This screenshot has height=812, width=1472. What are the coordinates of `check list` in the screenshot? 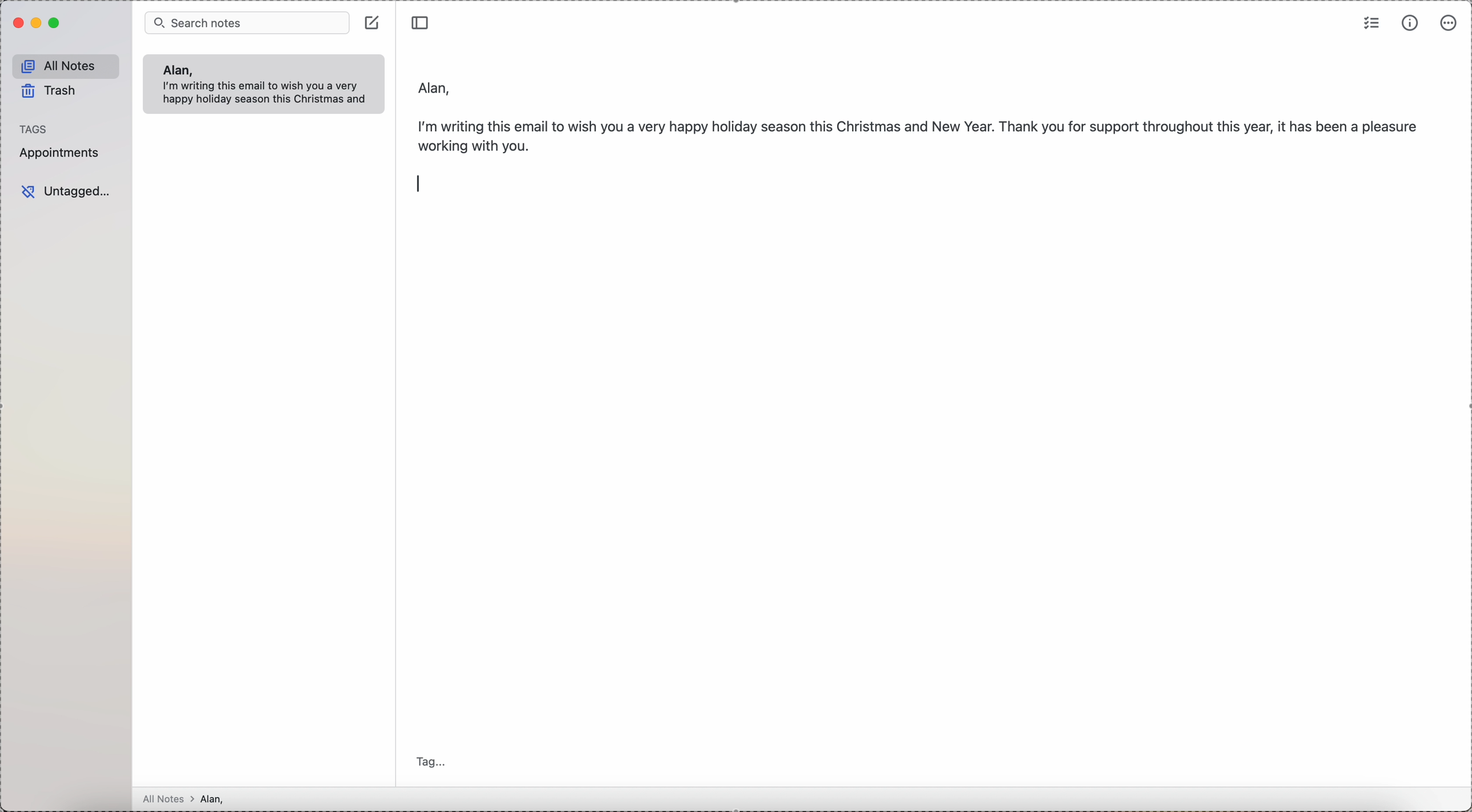 It's located at (1372, 22).